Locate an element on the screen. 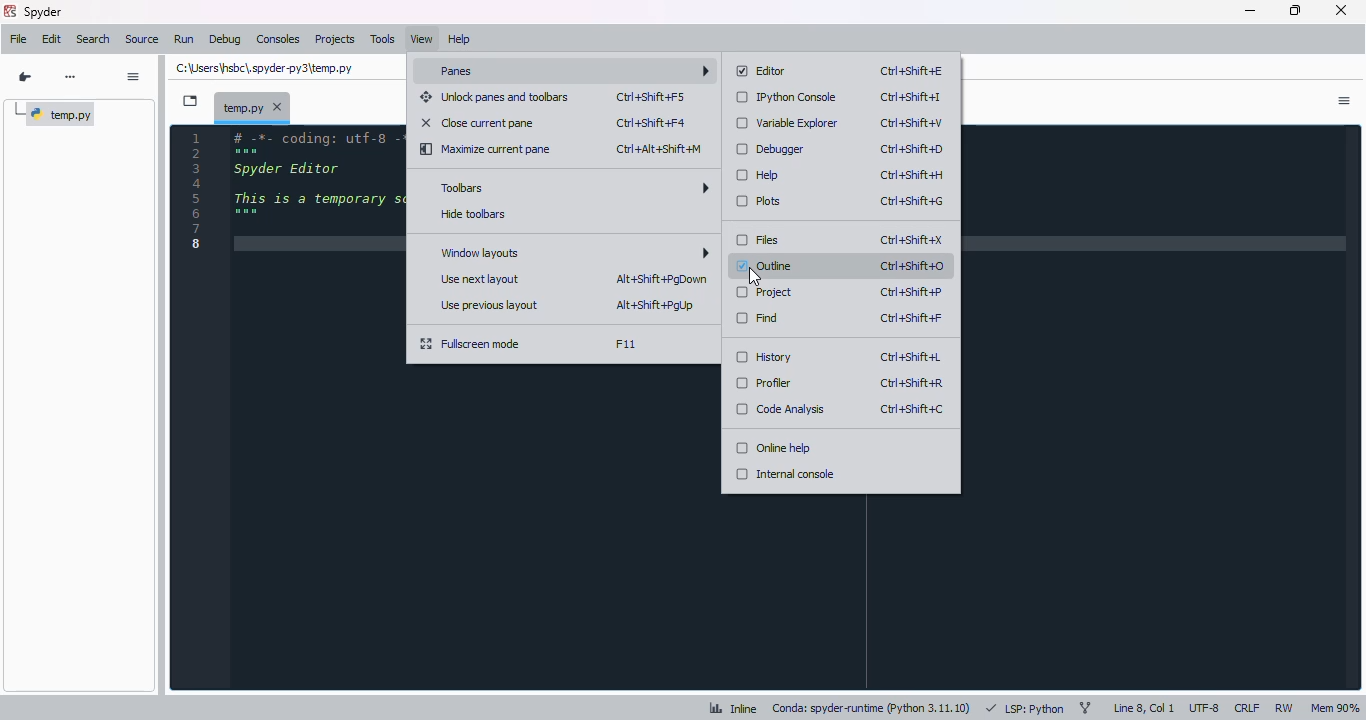 This screenshot has height=720, width=1366. shortcut for plots is located at coordinates (913, 201).